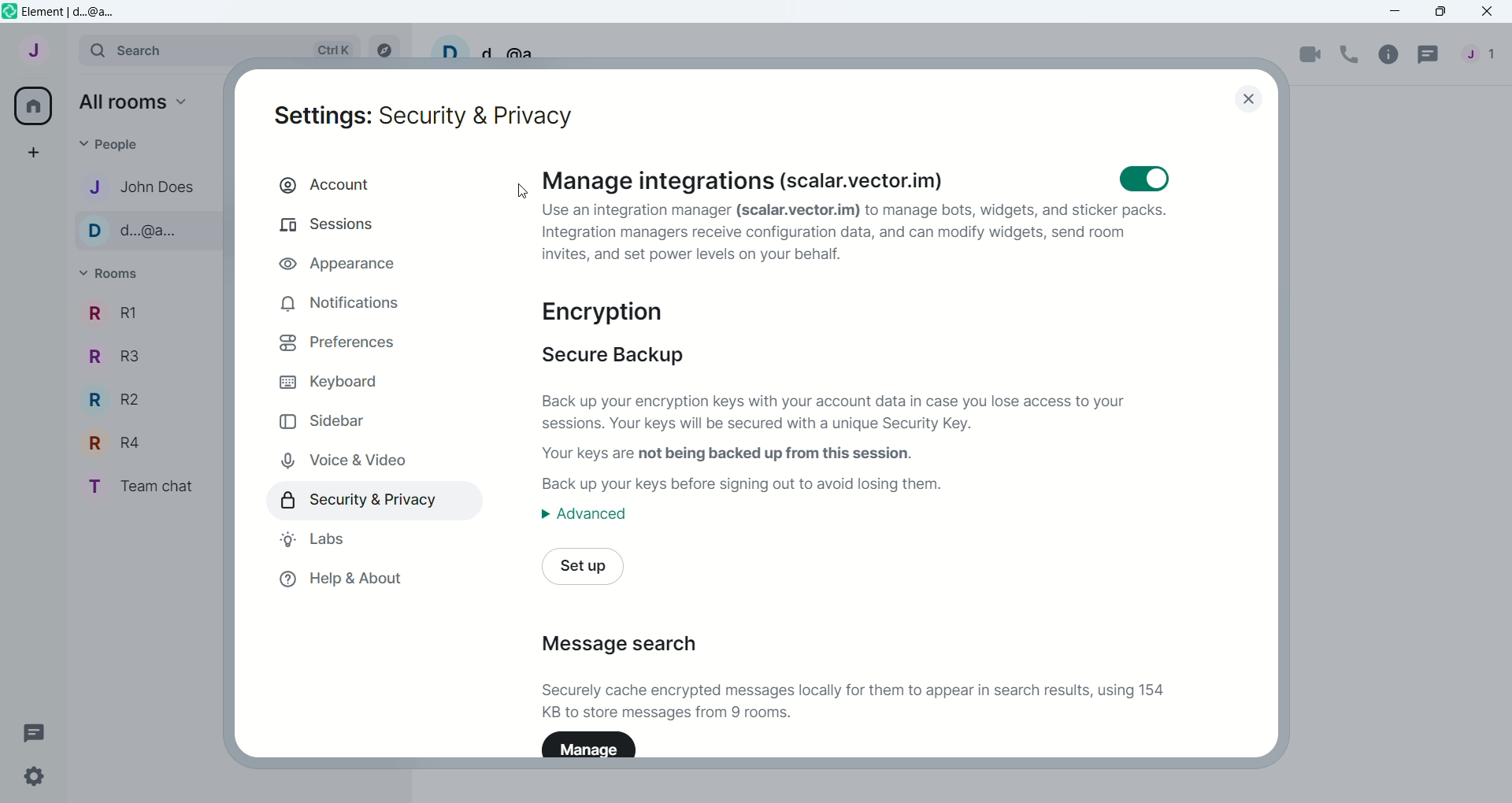 The height and width of the screenshot is (803, 1512). What do you see at coordinates (1351, 56) in the screenshot?
I see `voice call` at bounding box center [1351, 56].